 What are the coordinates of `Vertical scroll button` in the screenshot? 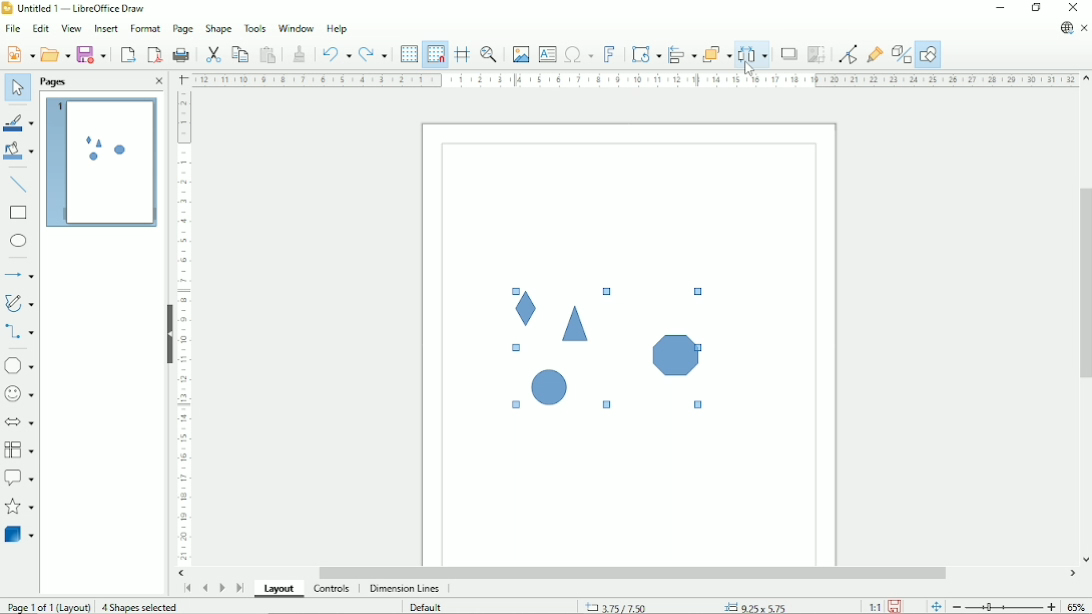 It's located at (1085, 79).